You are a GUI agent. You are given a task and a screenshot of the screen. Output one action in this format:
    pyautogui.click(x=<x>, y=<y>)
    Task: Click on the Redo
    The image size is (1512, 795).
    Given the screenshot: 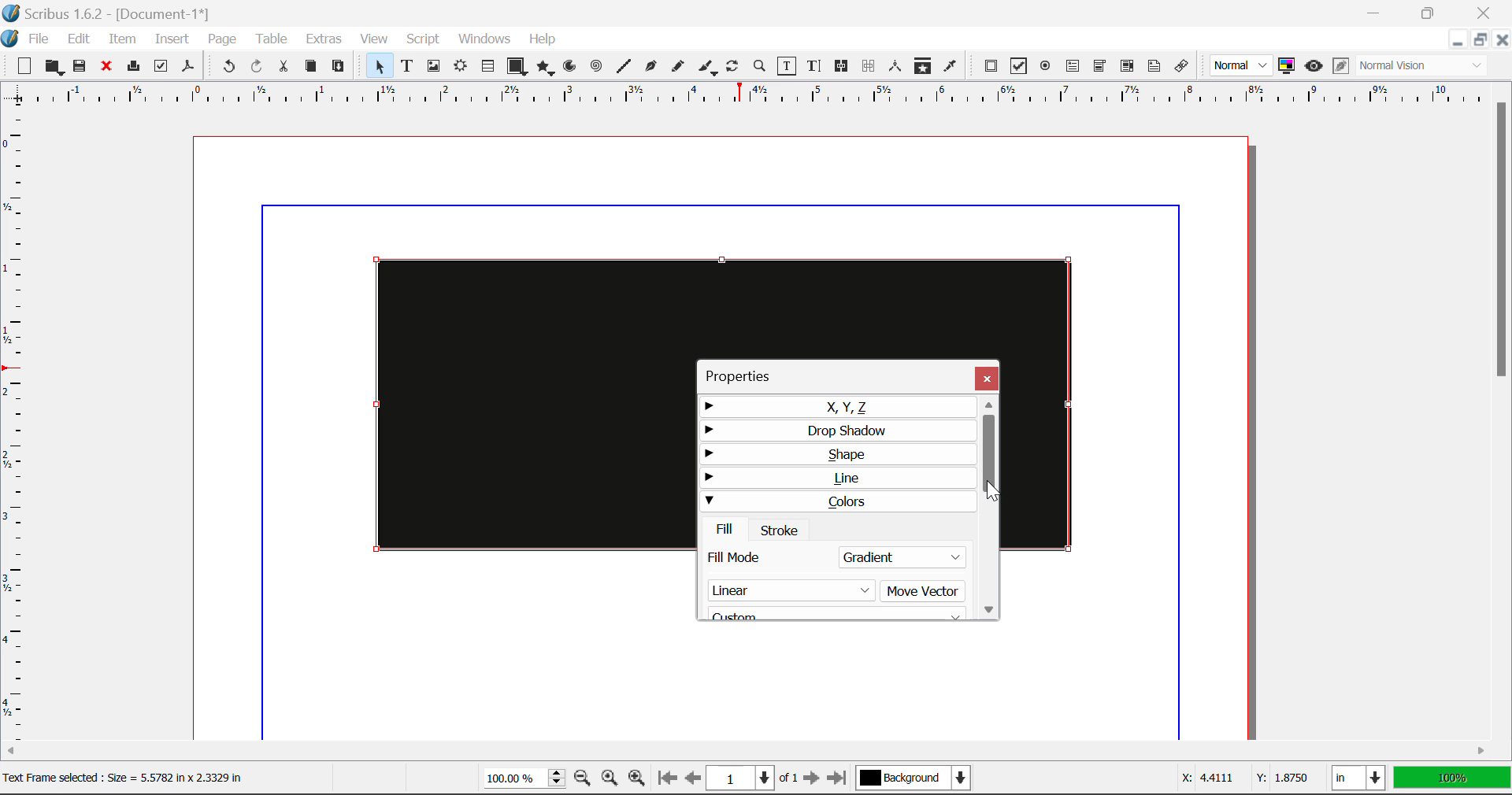 What is the action you would take?
    pyautogui.click(x=257, y=68)
    